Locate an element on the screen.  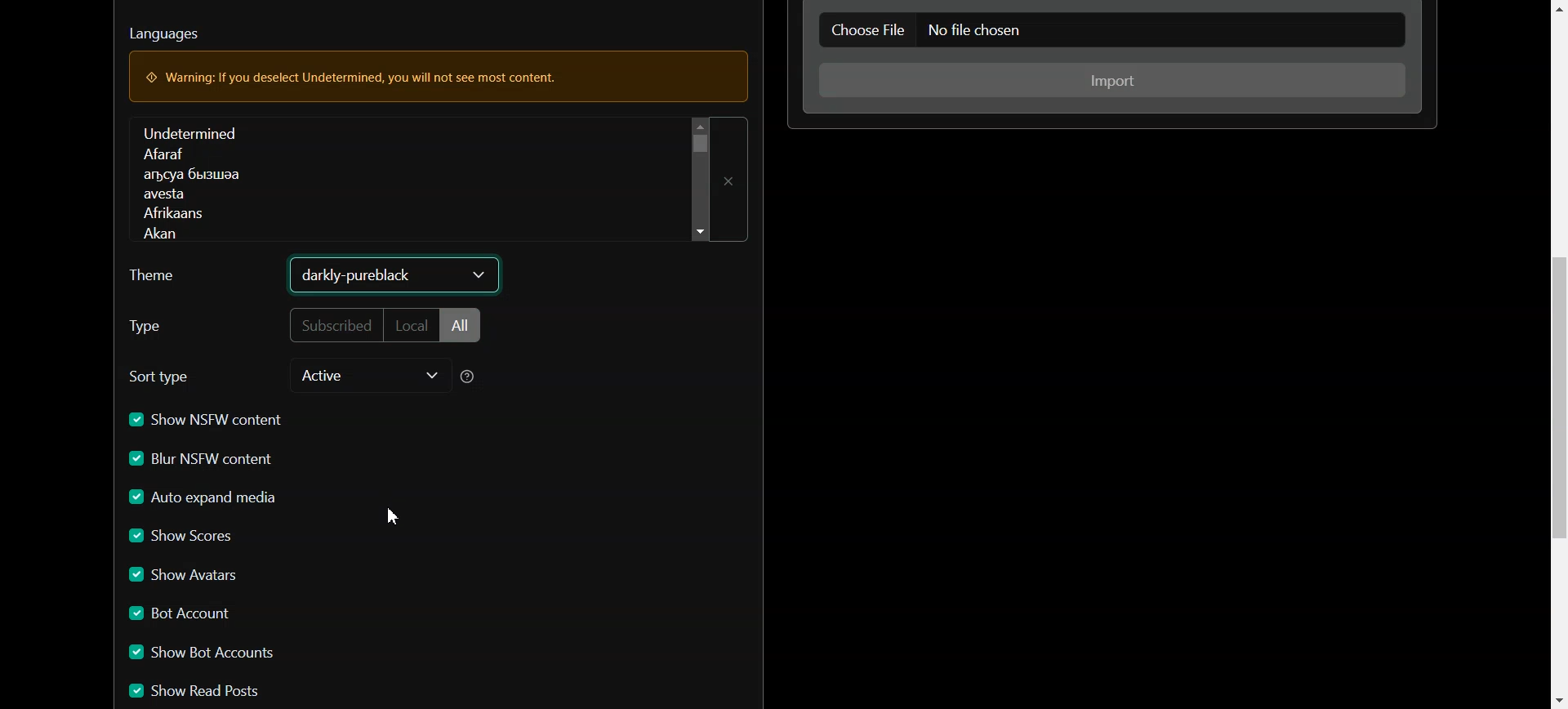
Active is located at coordinates (367, 377).